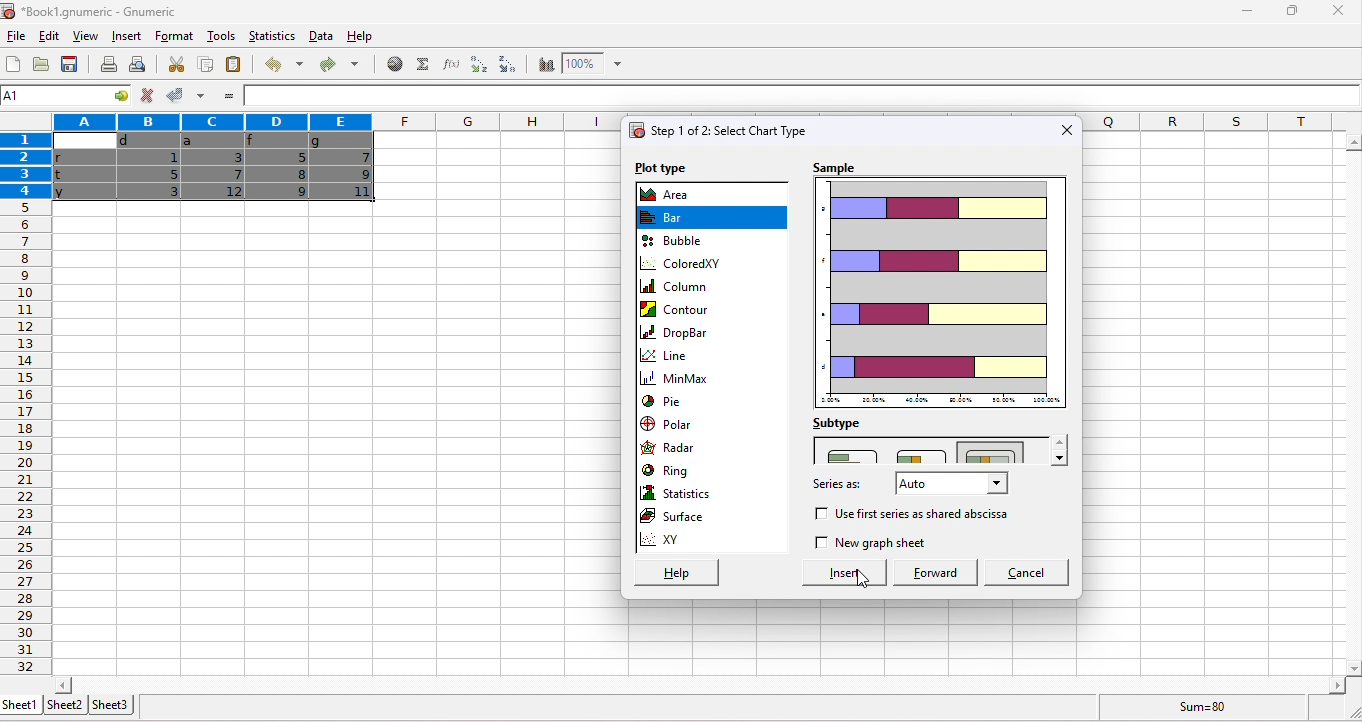 The width and height of the screenshot is (1362, 722). I want to click on select series, so click(946, 487).